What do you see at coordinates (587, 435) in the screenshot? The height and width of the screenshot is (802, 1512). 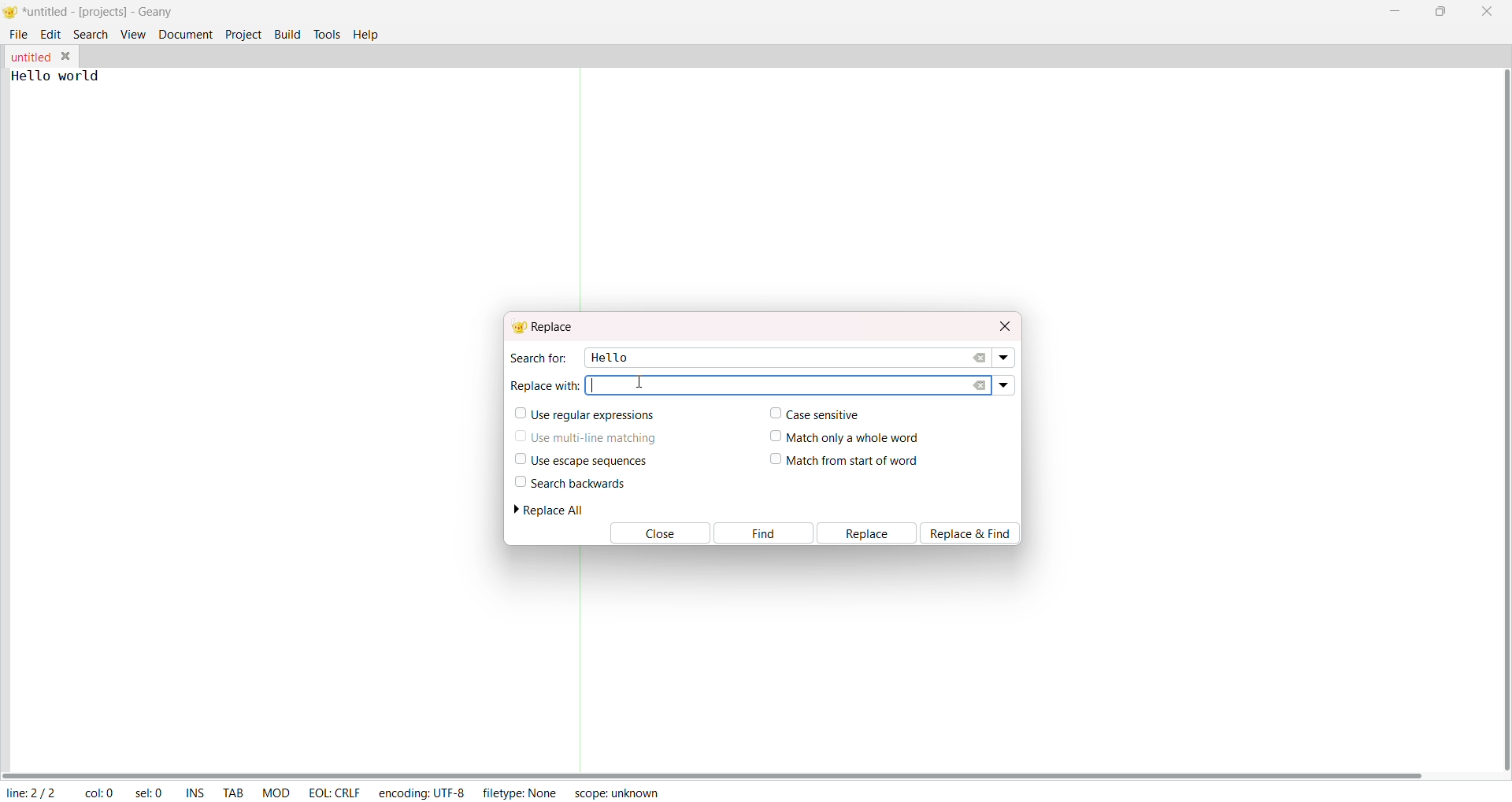 I see `use multi line matching` at bounding box center [587, 435].